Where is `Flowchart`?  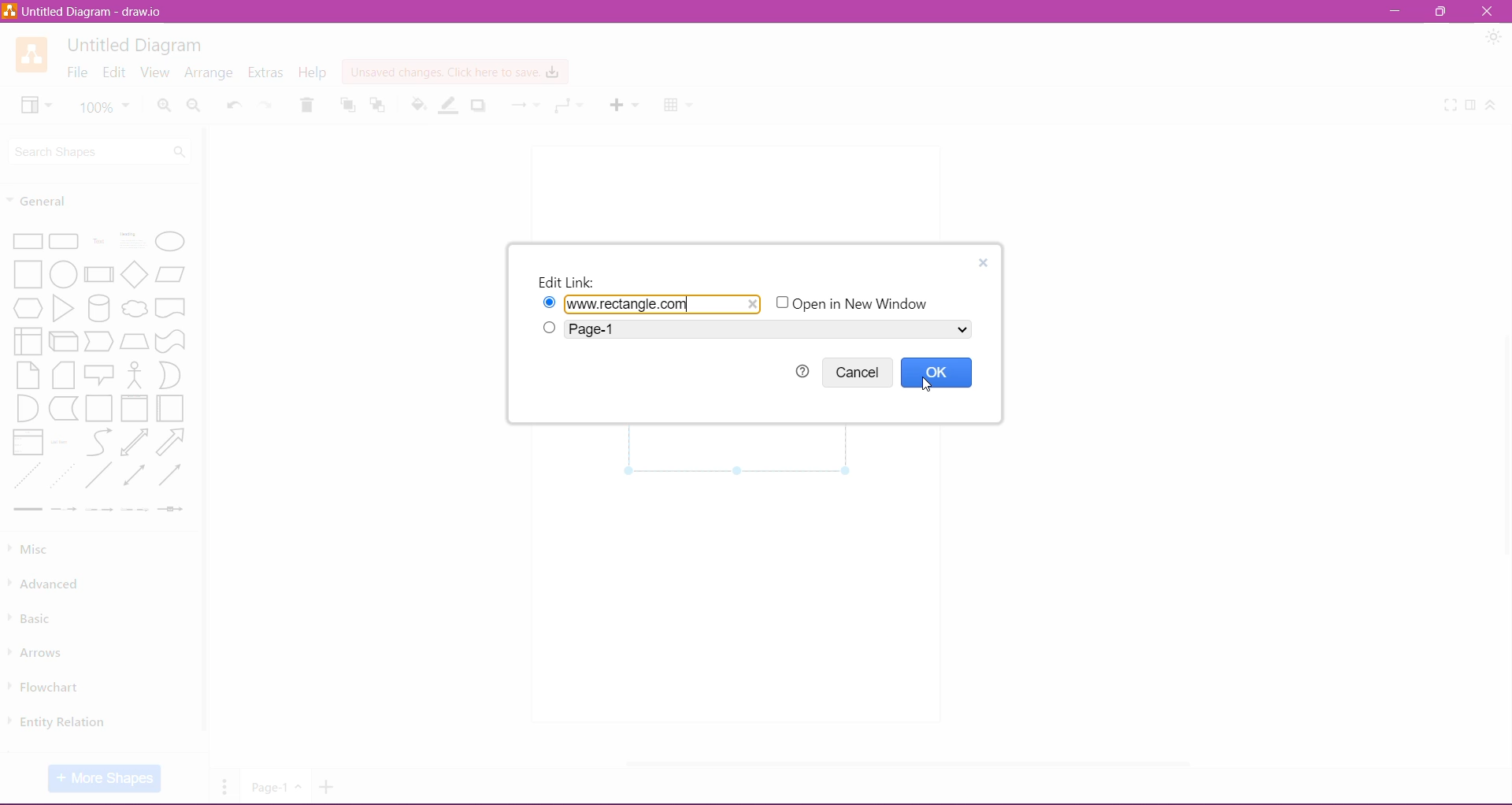
Flowchart is located at coordinates (50, 687).